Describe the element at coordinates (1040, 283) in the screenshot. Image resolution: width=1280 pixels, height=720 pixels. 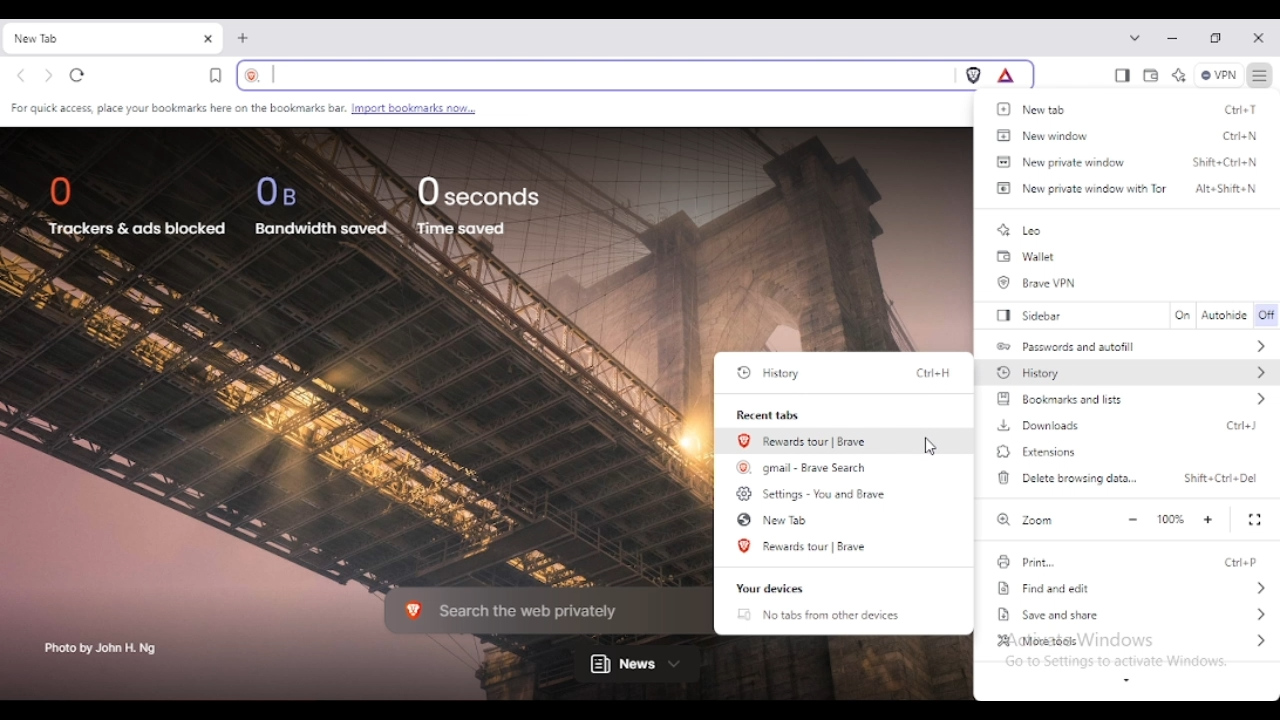
I see `brave VPN` at that location.